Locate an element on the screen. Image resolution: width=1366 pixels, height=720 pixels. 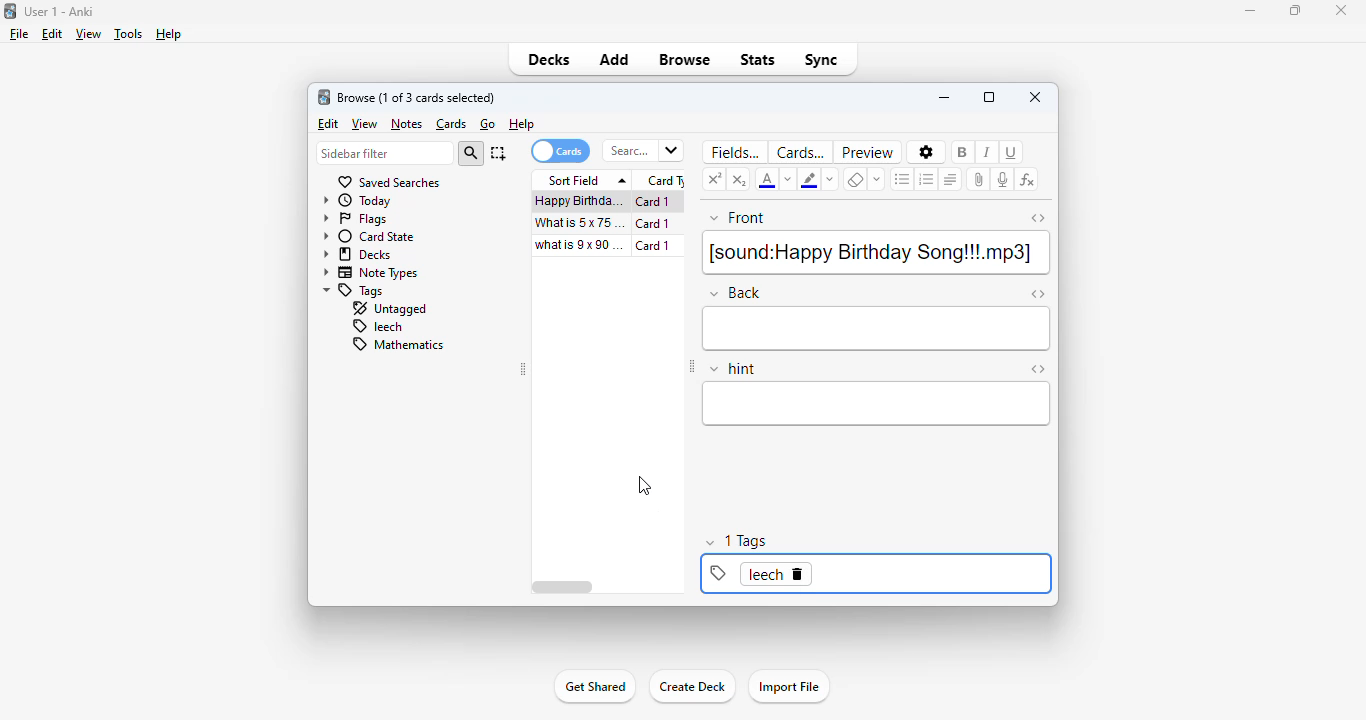
horizontal scroll bar is located at coordinates (563, 587).